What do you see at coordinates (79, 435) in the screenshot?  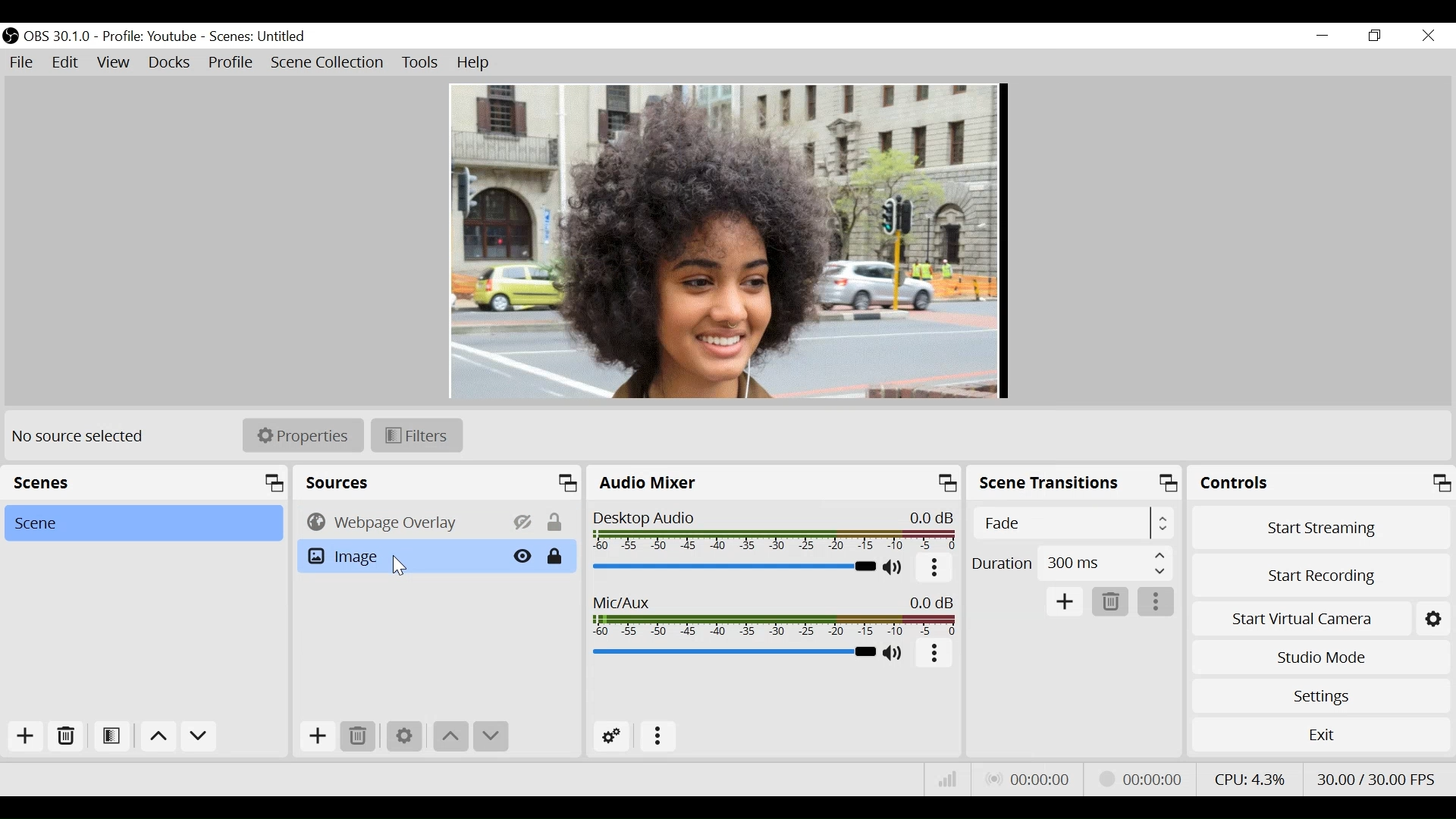 I see `No source selected` at bounding box center [79, 435].